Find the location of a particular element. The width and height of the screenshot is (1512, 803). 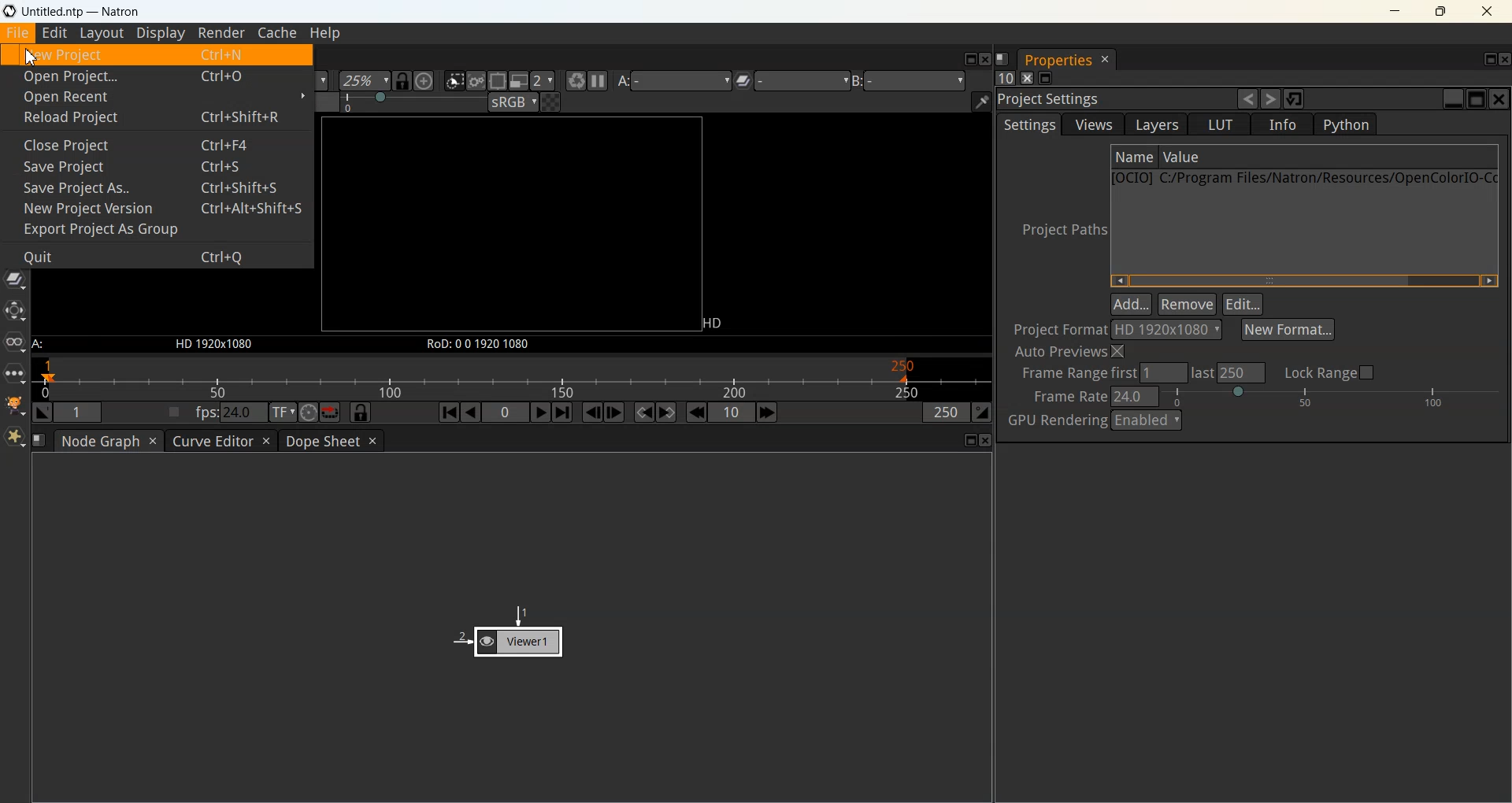

RoD: 00 1920 1080 is located at coordinates (477, 346).